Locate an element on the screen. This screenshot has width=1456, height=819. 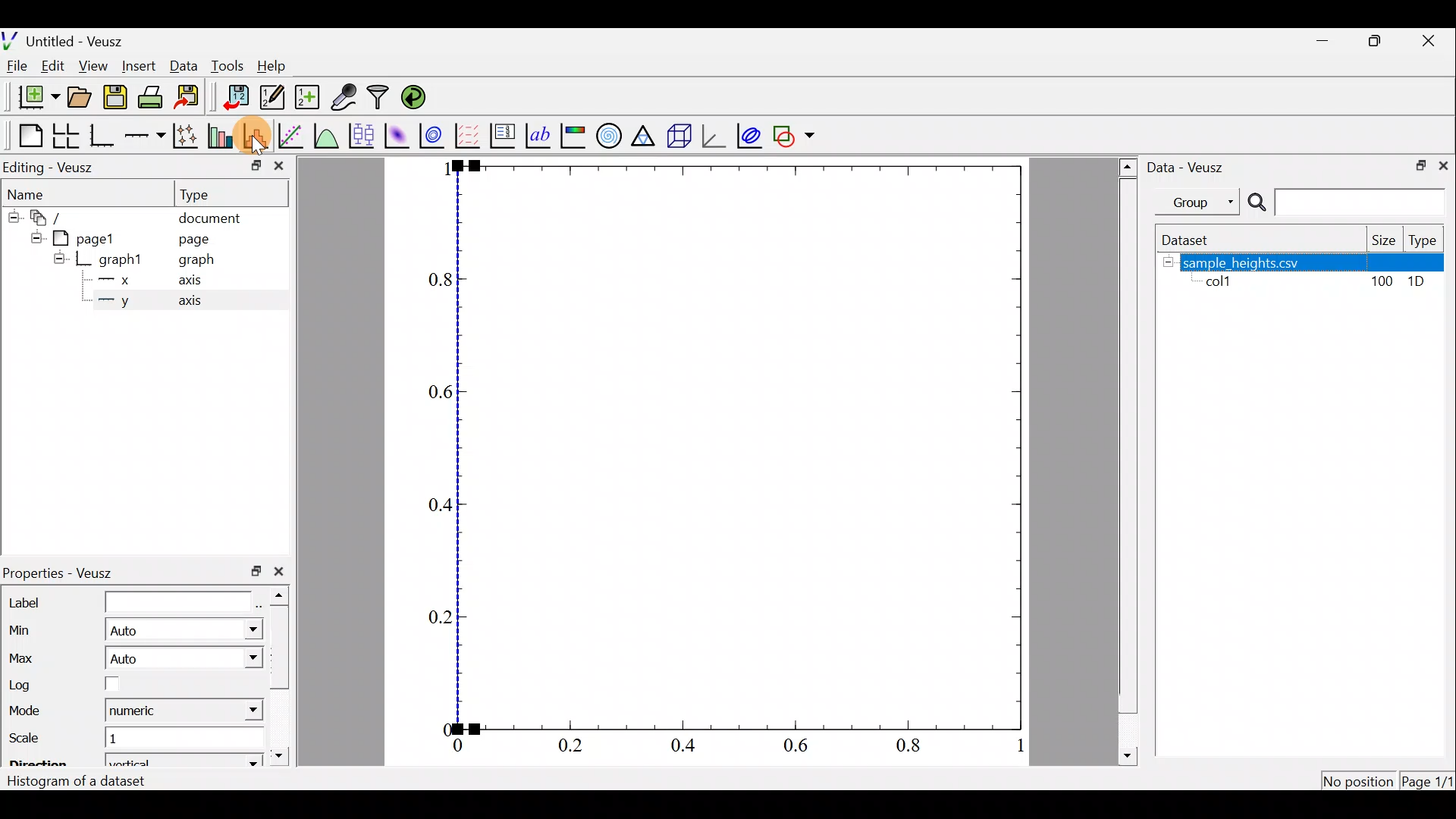
Log is located at coordinates (108, 684).